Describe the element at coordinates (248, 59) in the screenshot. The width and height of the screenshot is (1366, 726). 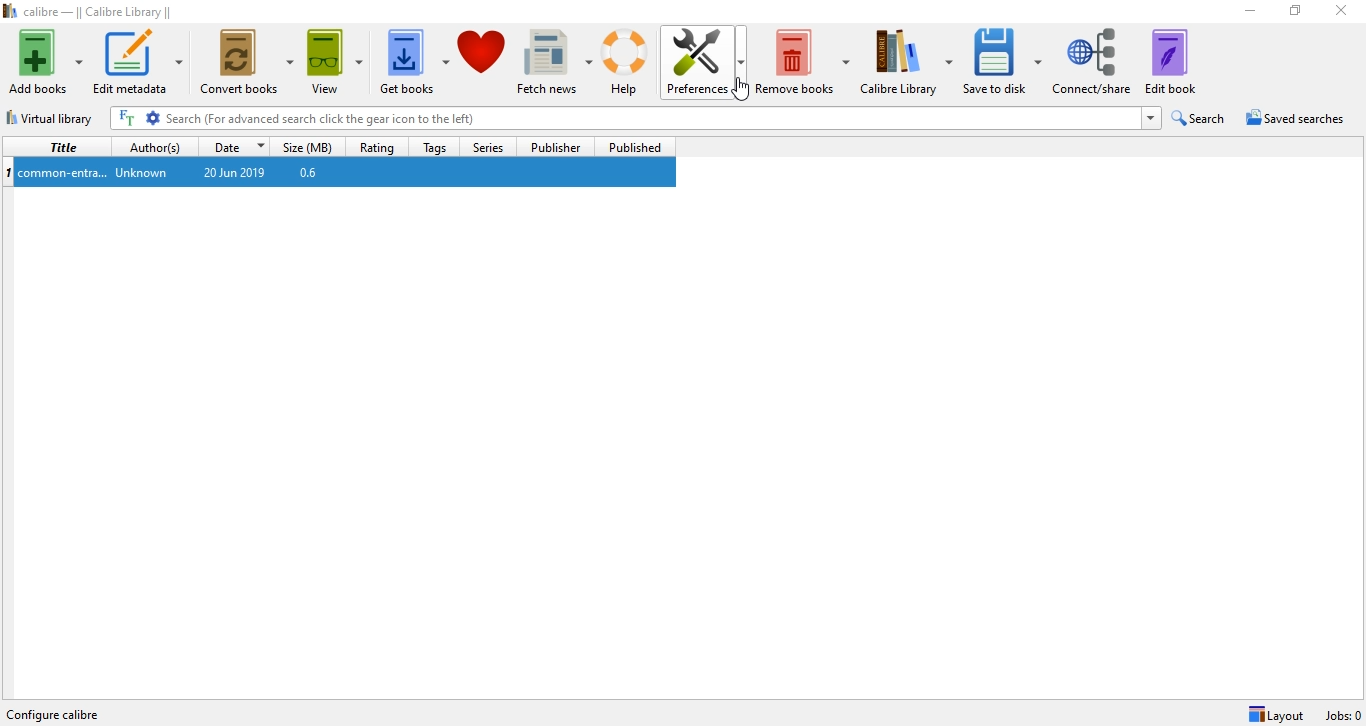
I see `Convert books` at that location.